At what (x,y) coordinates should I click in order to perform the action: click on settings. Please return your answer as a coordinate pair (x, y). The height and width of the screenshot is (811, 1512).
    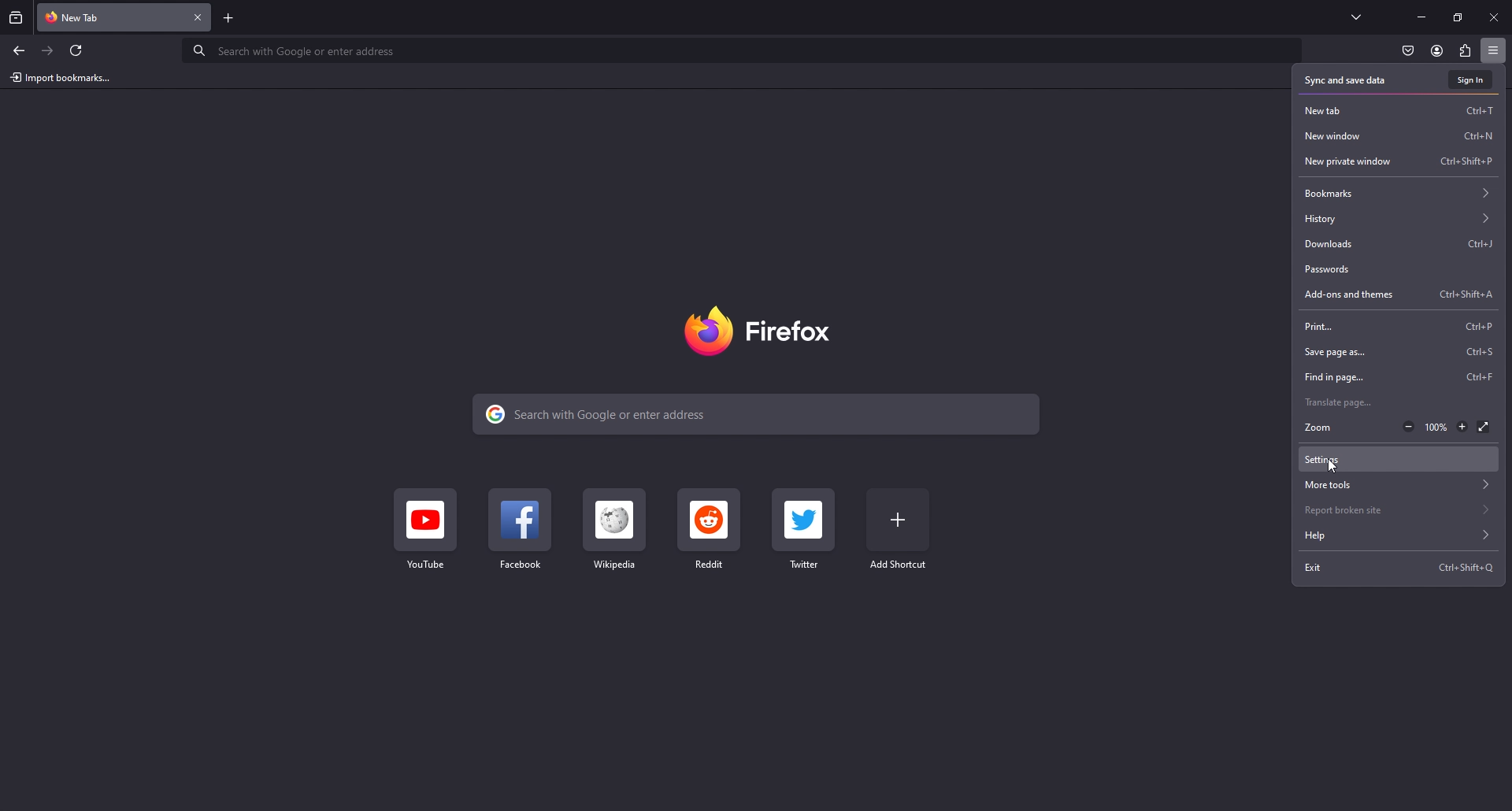
    Looking at the image, I should click on (1399, 460).